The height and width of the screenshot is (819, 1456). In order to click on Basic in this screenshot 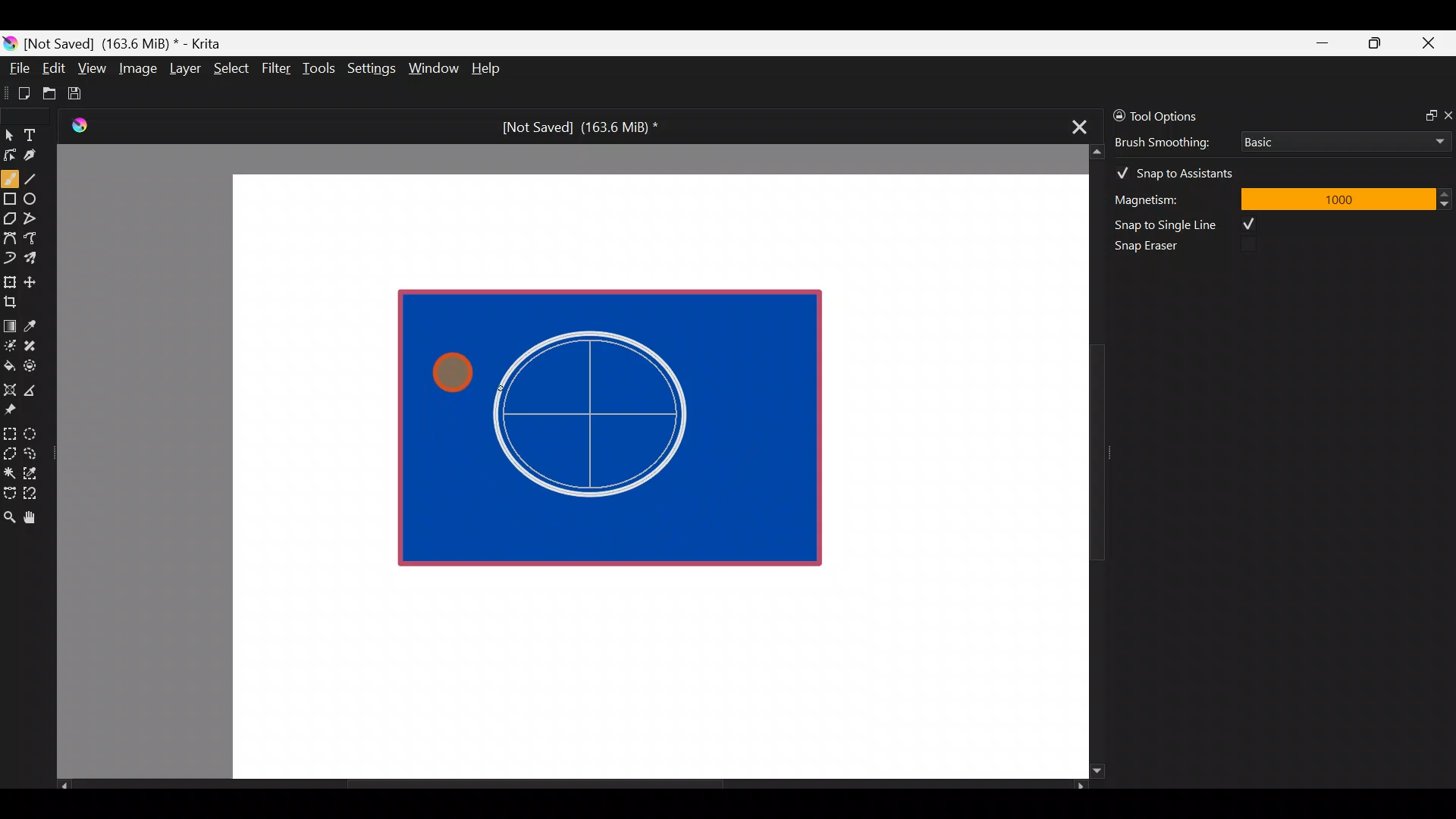, I will do `click(1341, 139)`.